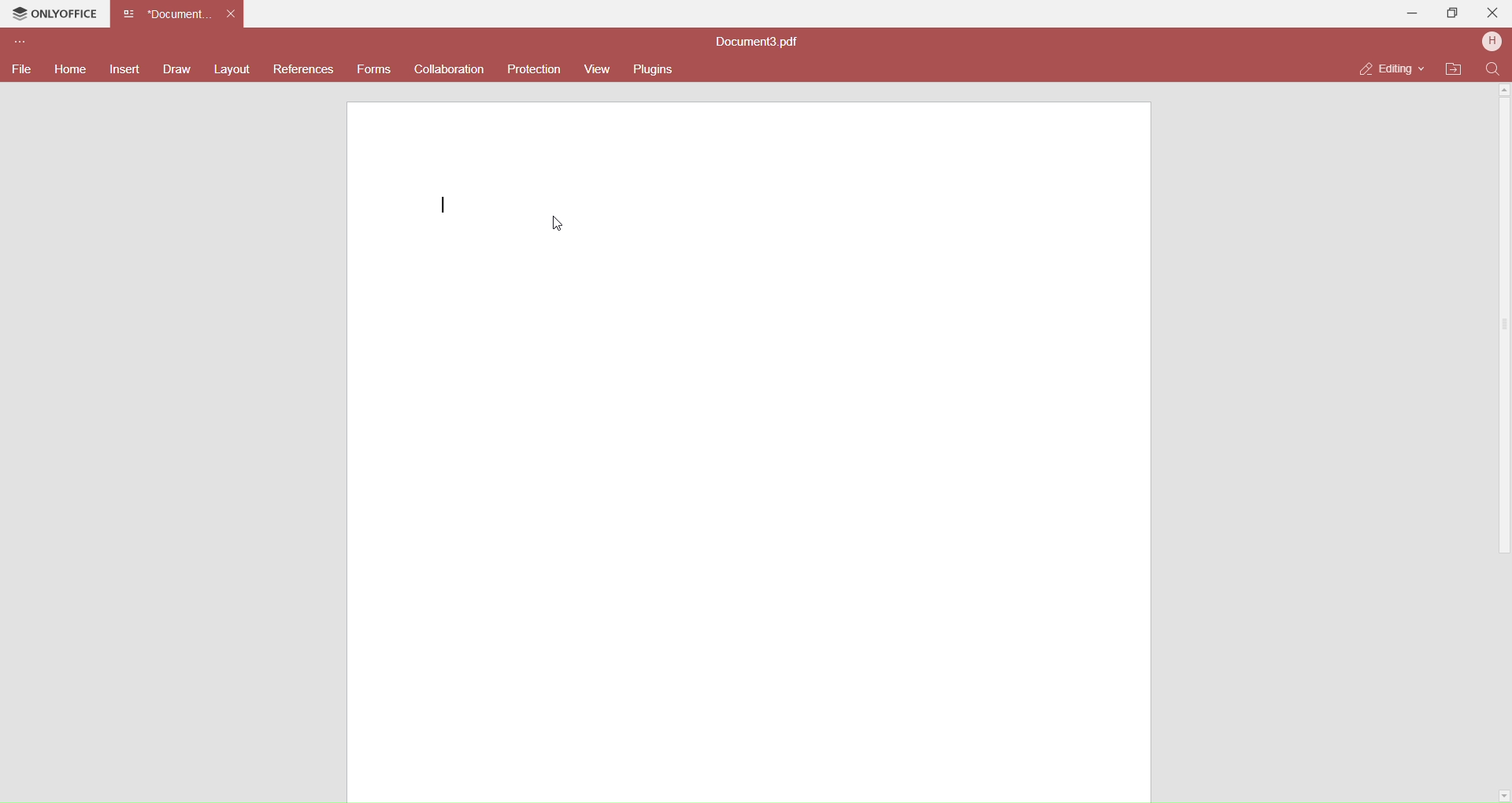  What do you see at coordinates (657, 68) in the screenshot?
I see `Plugins` at bounding box center [657, 68].